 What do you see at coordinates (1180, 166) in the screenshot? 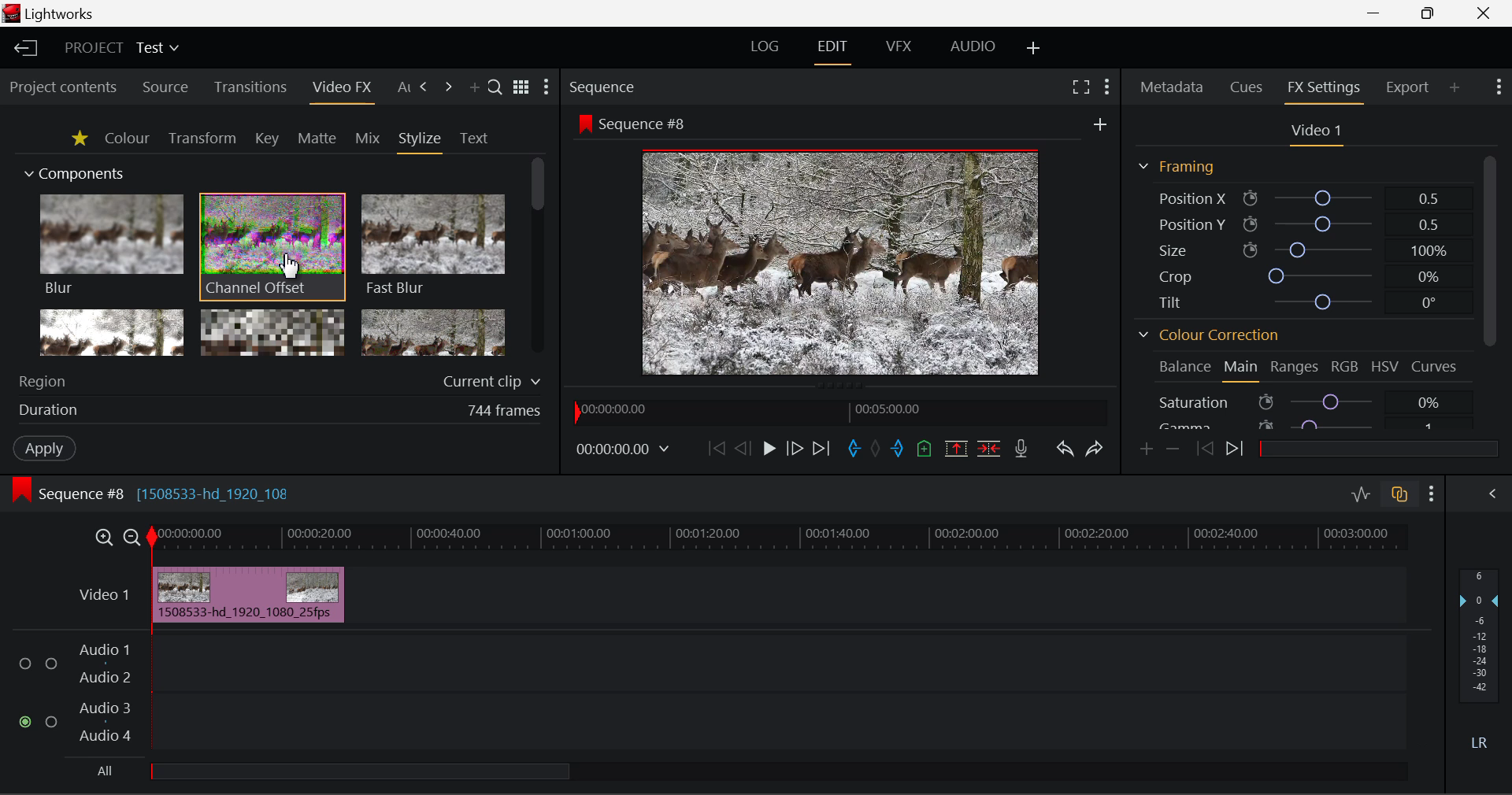
I see `Framing Section` at bounding box center [1180, 166].